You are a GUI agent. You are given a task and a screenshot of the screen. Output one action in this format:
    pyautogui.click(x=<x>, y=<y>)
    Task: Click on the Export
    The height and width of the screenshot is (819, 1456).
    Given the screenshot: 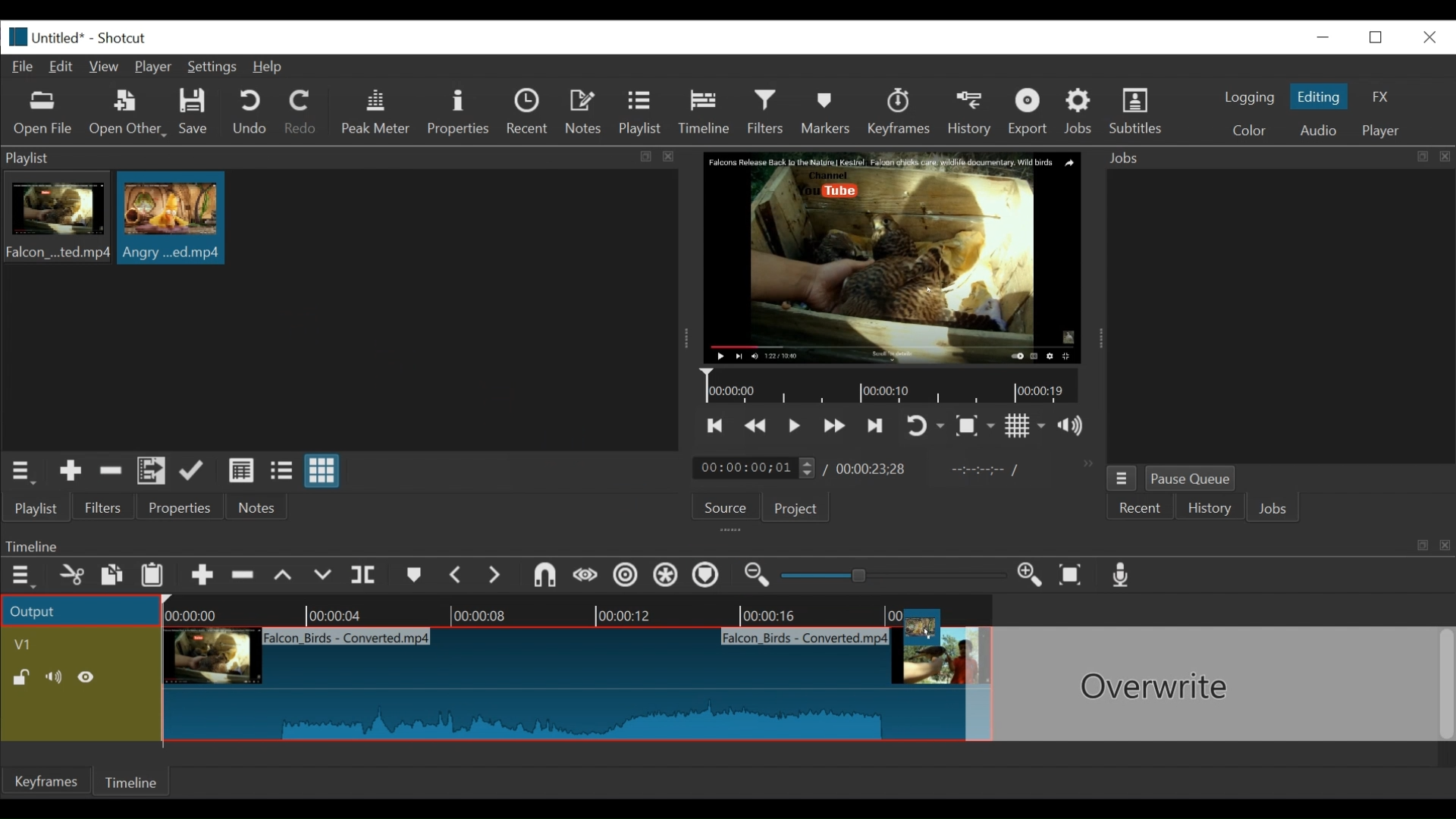 What is the action you would take?
    pyautogui.click(x=1031, y=114)
    